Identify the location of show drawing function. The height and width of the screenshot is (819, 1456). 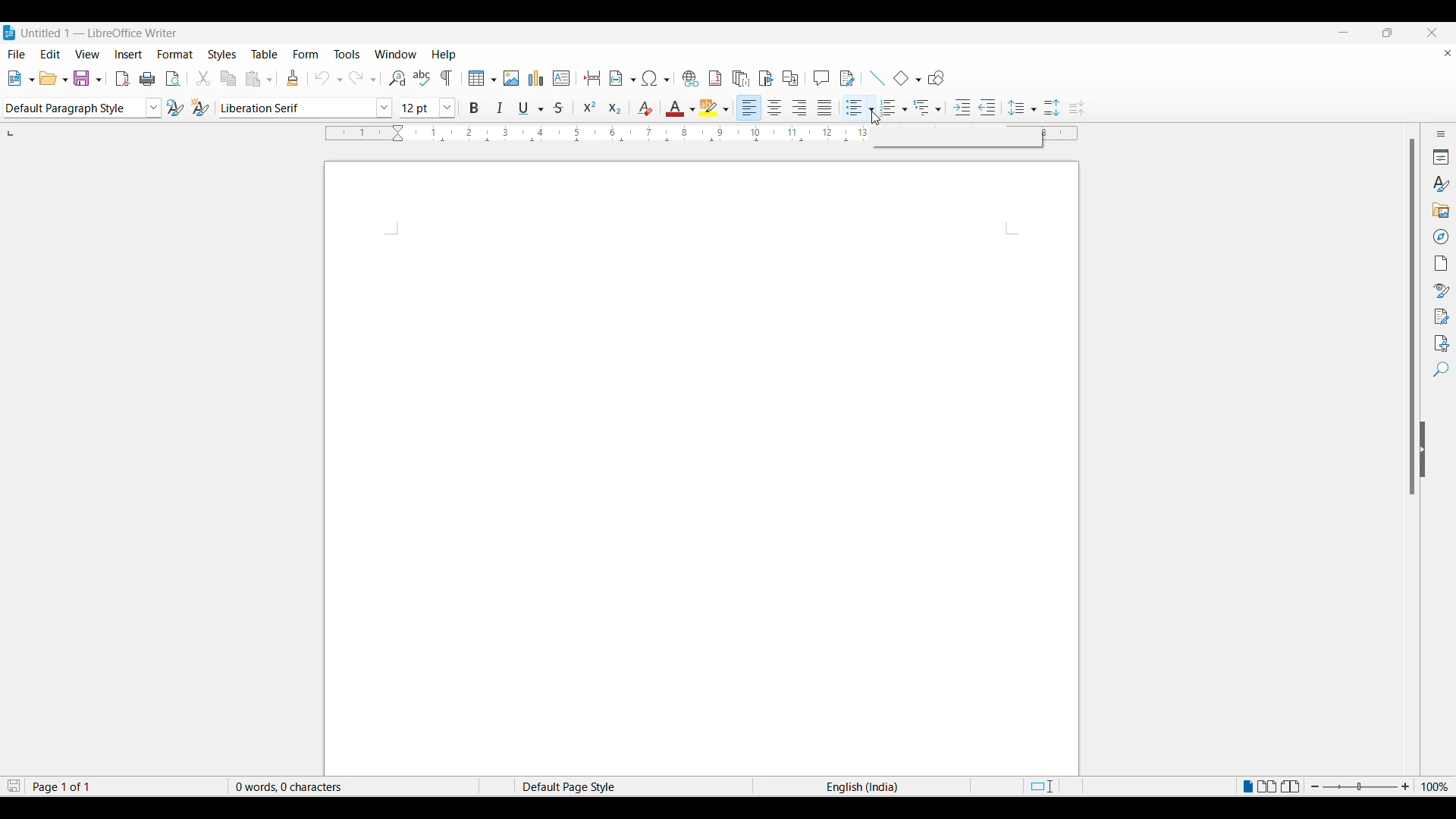
(938, 79).